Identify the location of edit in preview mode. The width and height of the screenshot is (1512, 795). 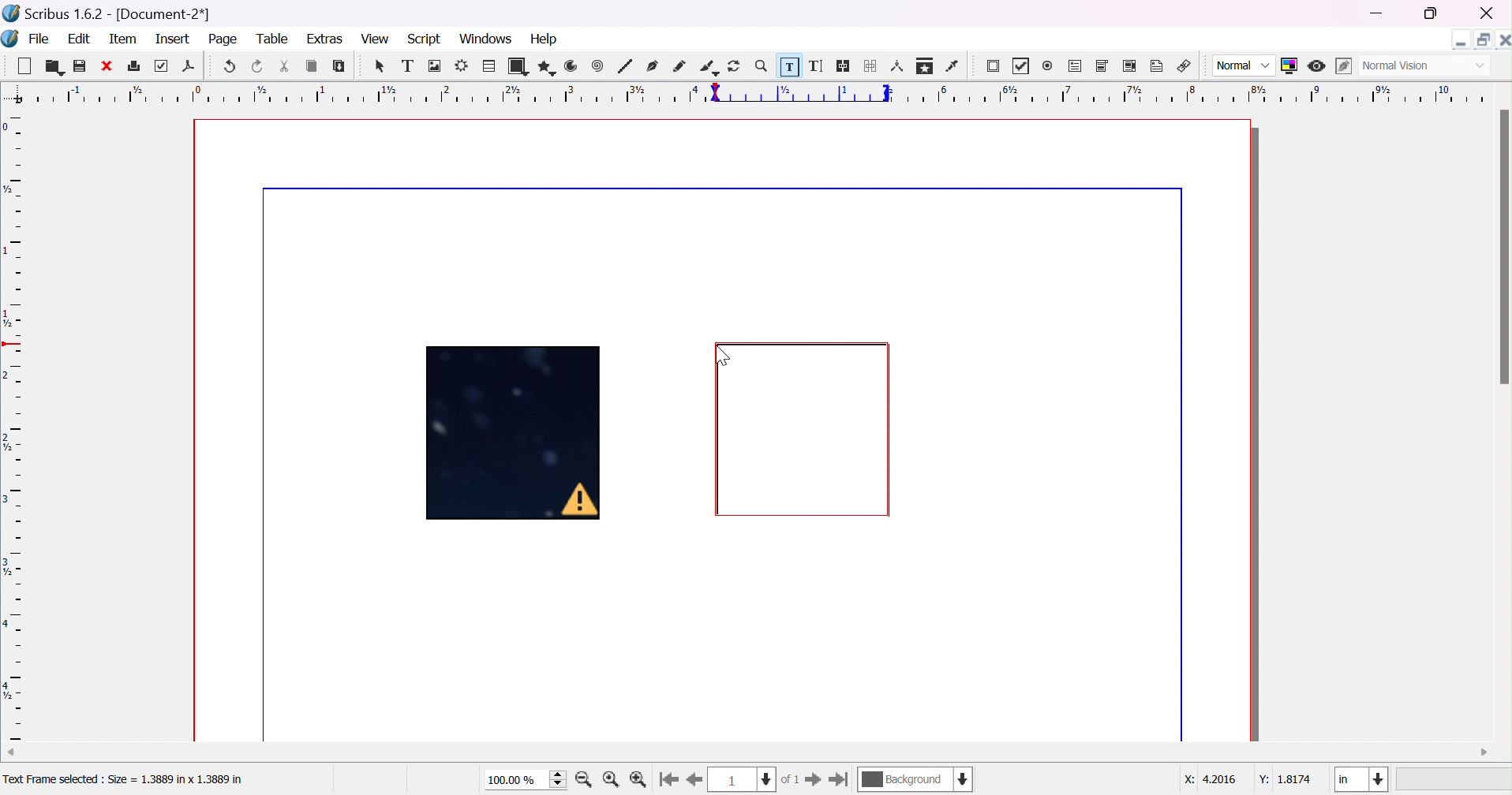
(1341, 66).